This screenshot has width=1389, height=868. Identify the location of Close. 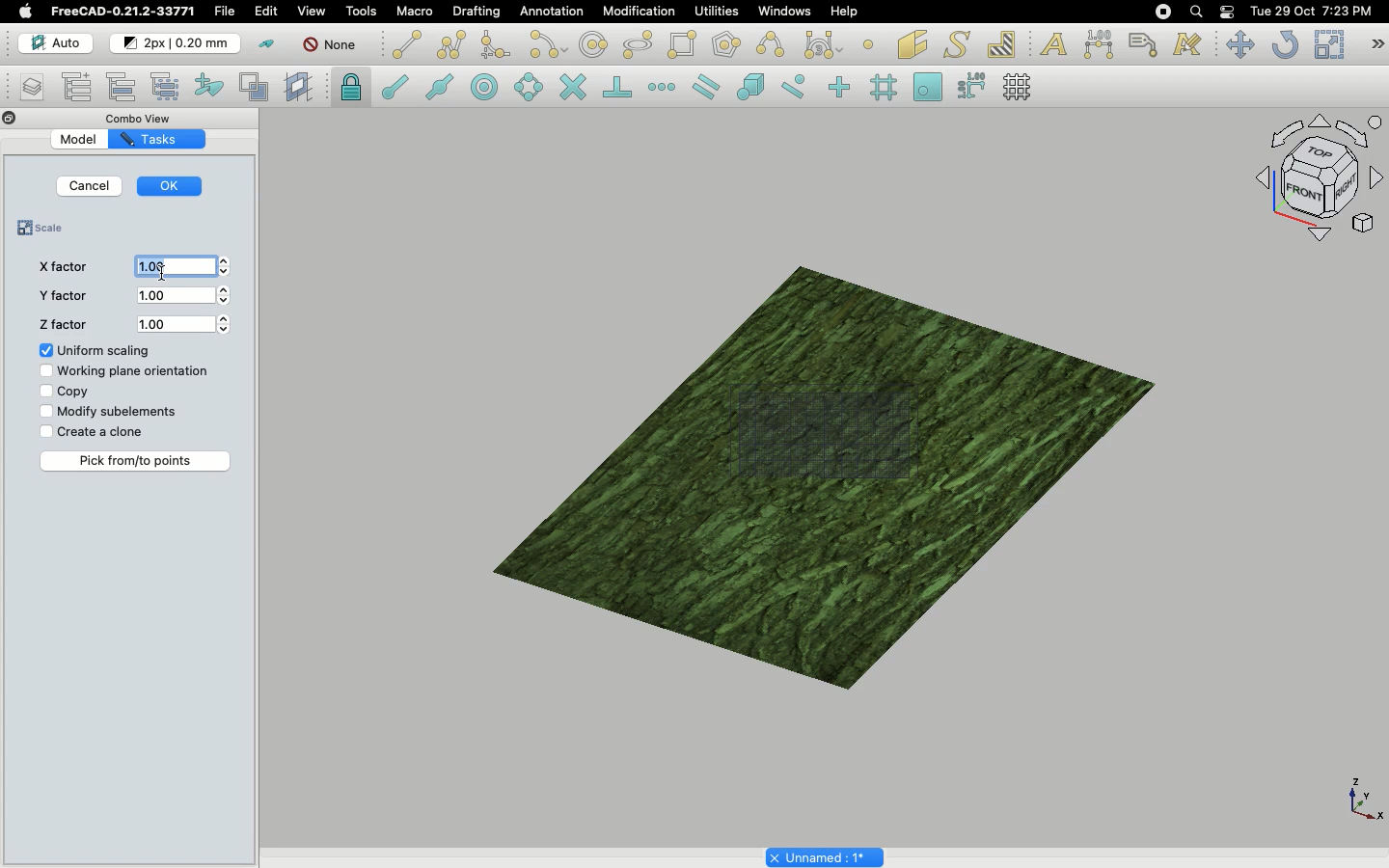
(8, 118).